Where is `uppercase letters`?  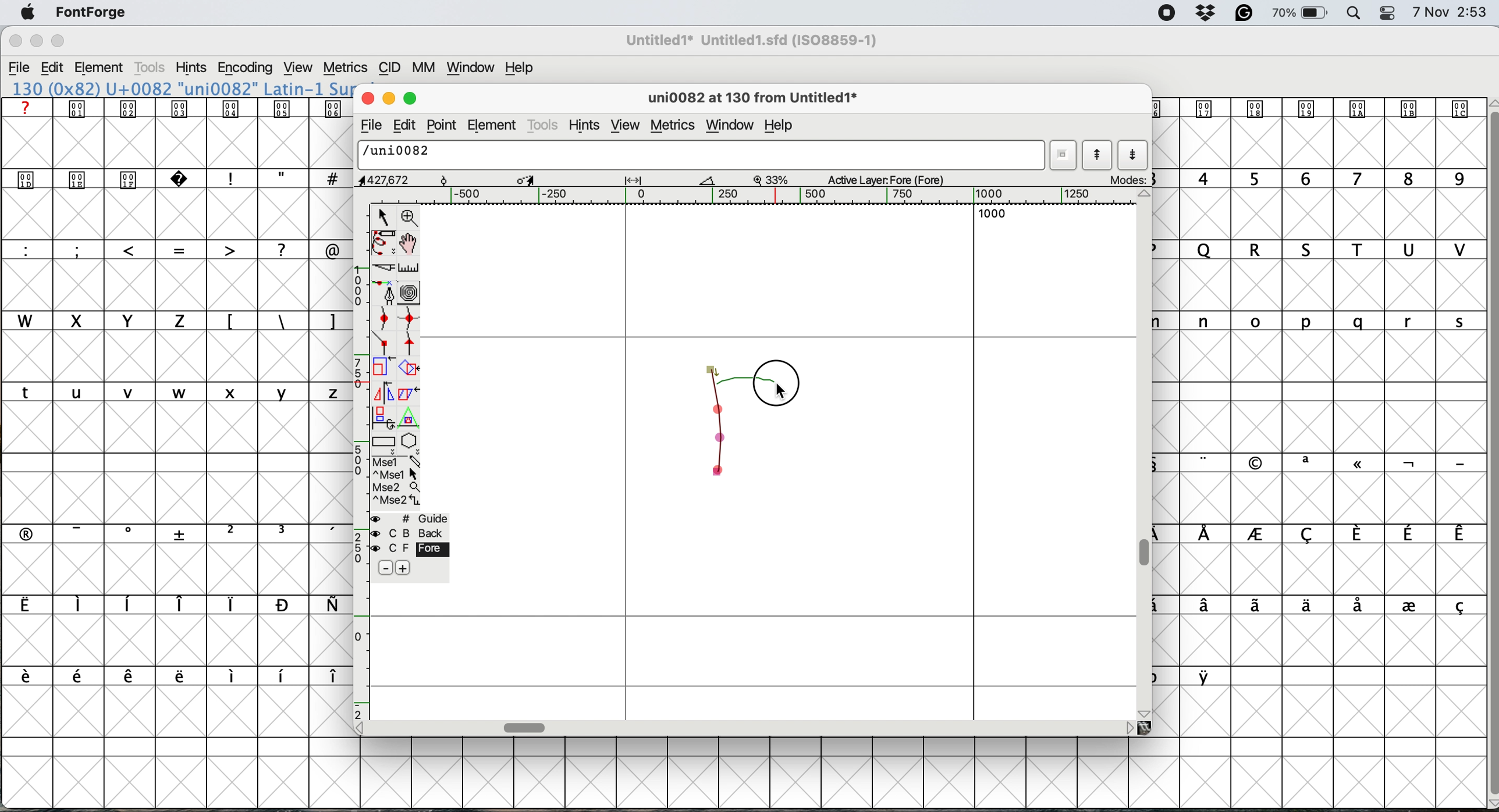 uppercase letters is located at coordinates (376, 250).